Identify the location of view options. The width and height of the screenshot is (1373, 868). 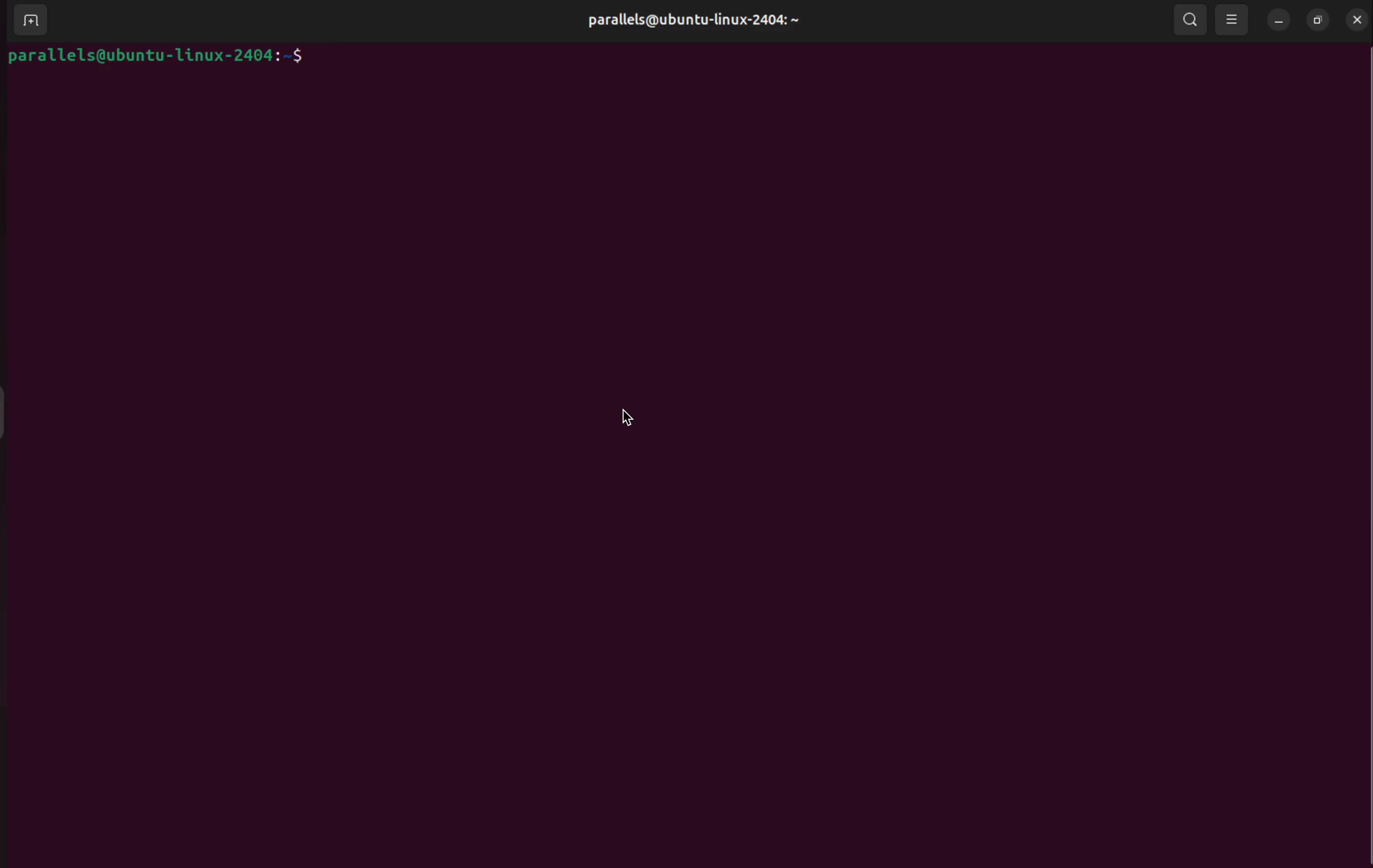
(1233, 19).